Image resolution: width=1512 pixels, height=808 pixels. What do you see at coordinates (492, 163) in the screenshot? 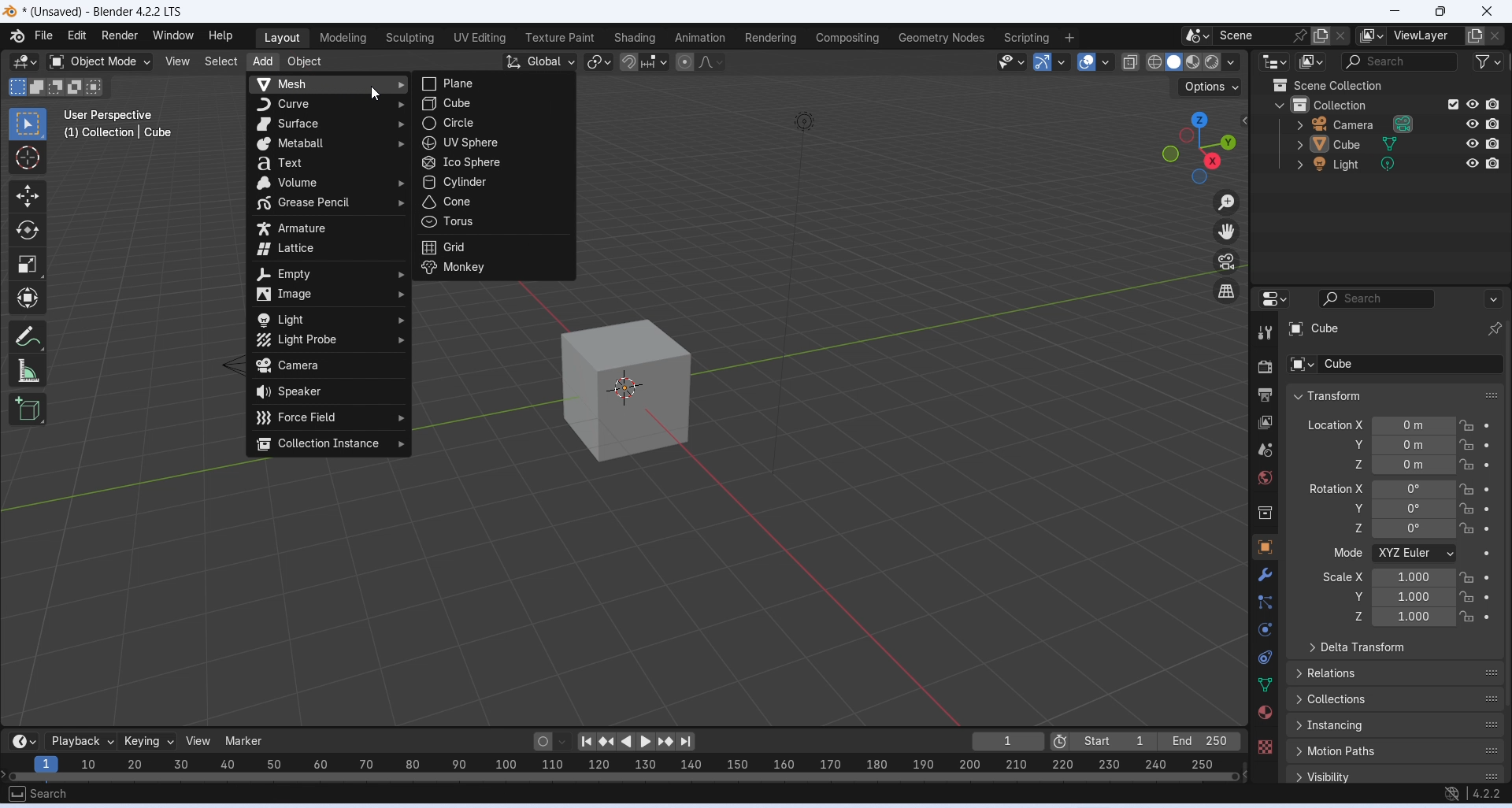
I see `ico sphere` at bounding box center [492, 163].